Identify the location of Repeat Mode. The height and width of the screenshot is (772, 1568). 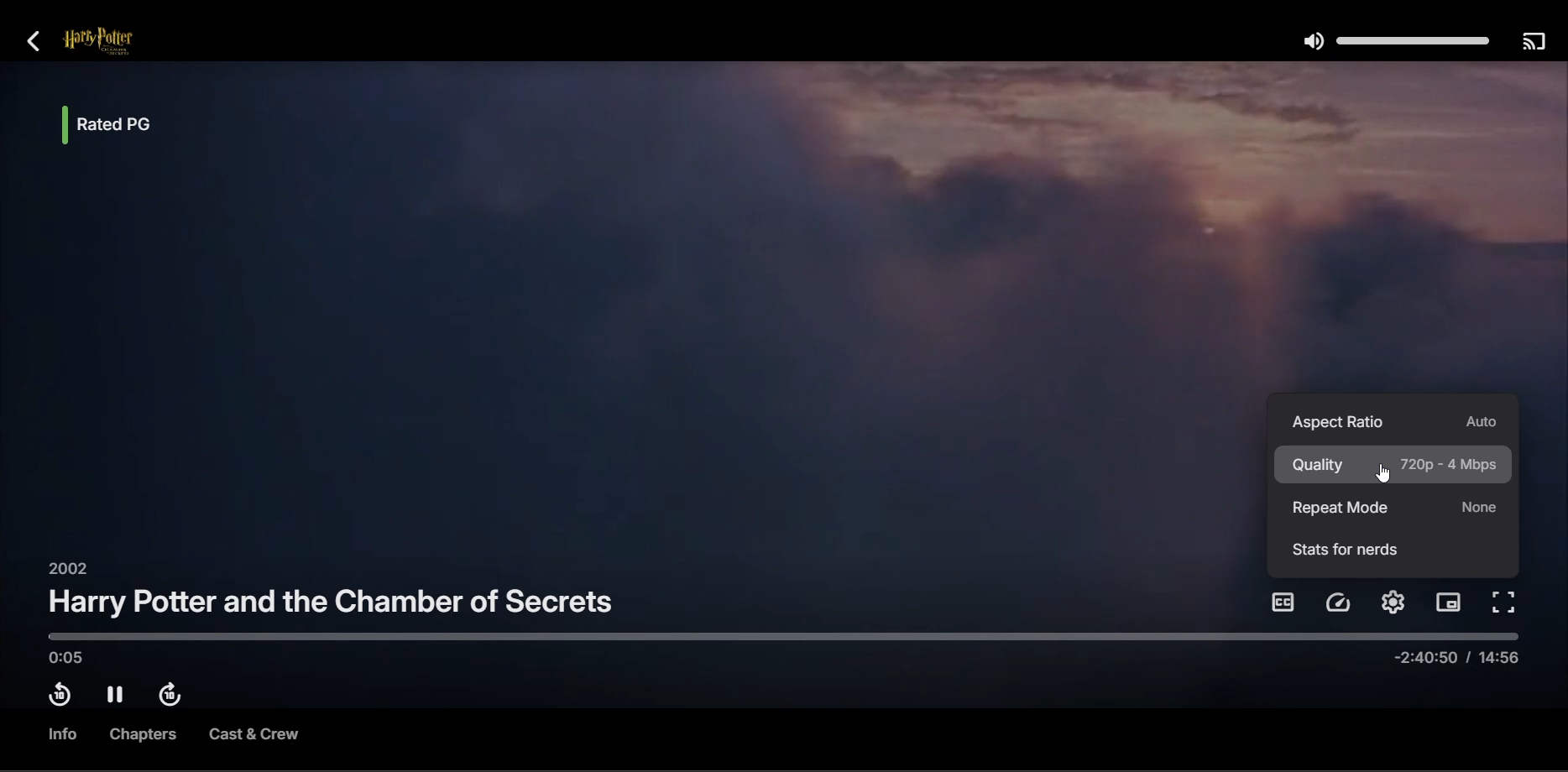
(1395, 509).